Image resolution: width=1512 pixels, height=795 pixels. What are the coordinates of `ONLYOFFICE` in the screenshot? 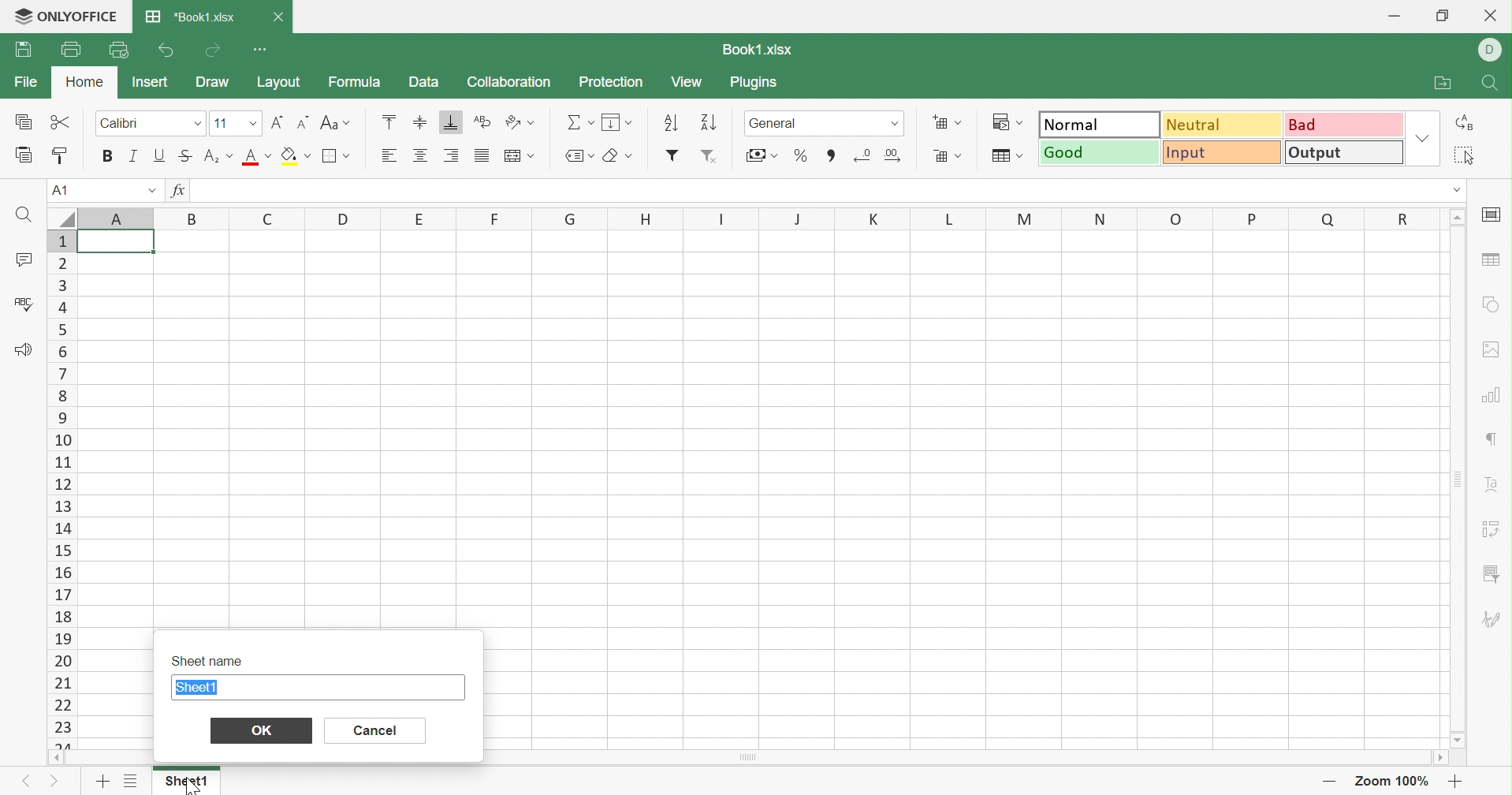 It's located at (67, 16).